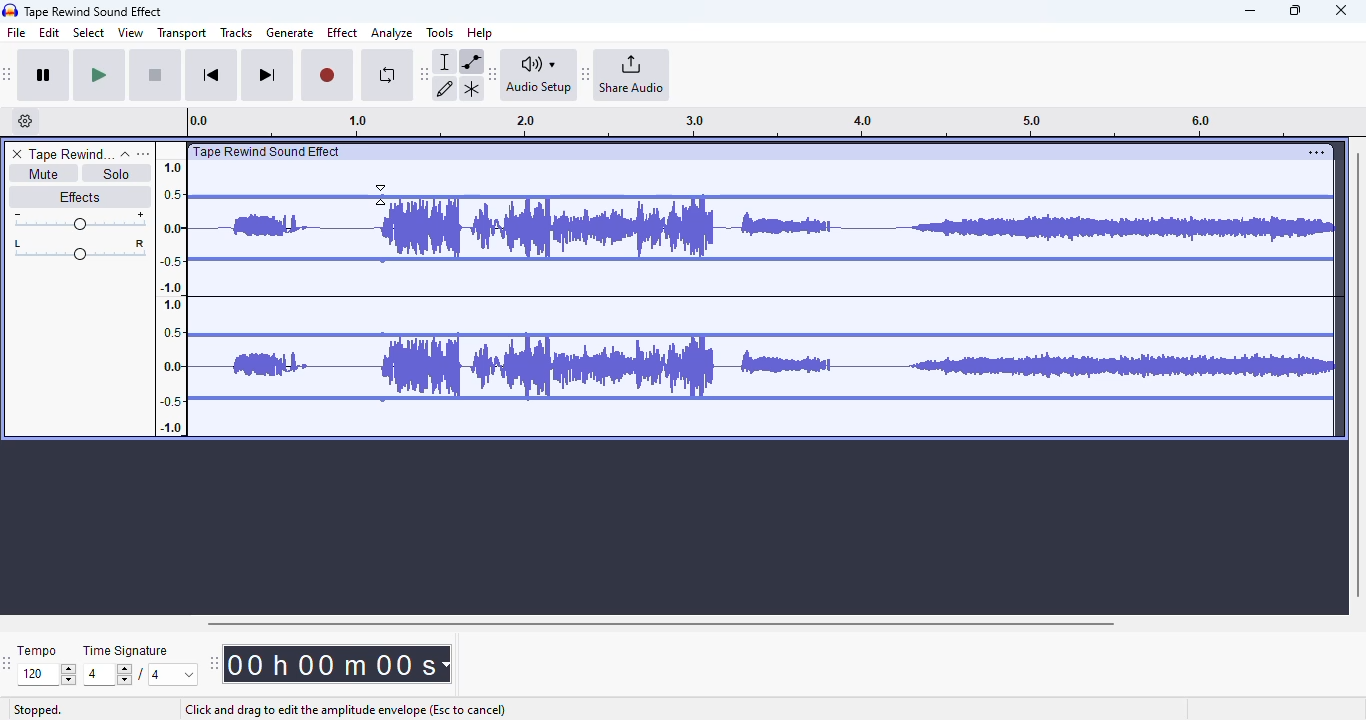  I want to click on tools, so click(440, 32).